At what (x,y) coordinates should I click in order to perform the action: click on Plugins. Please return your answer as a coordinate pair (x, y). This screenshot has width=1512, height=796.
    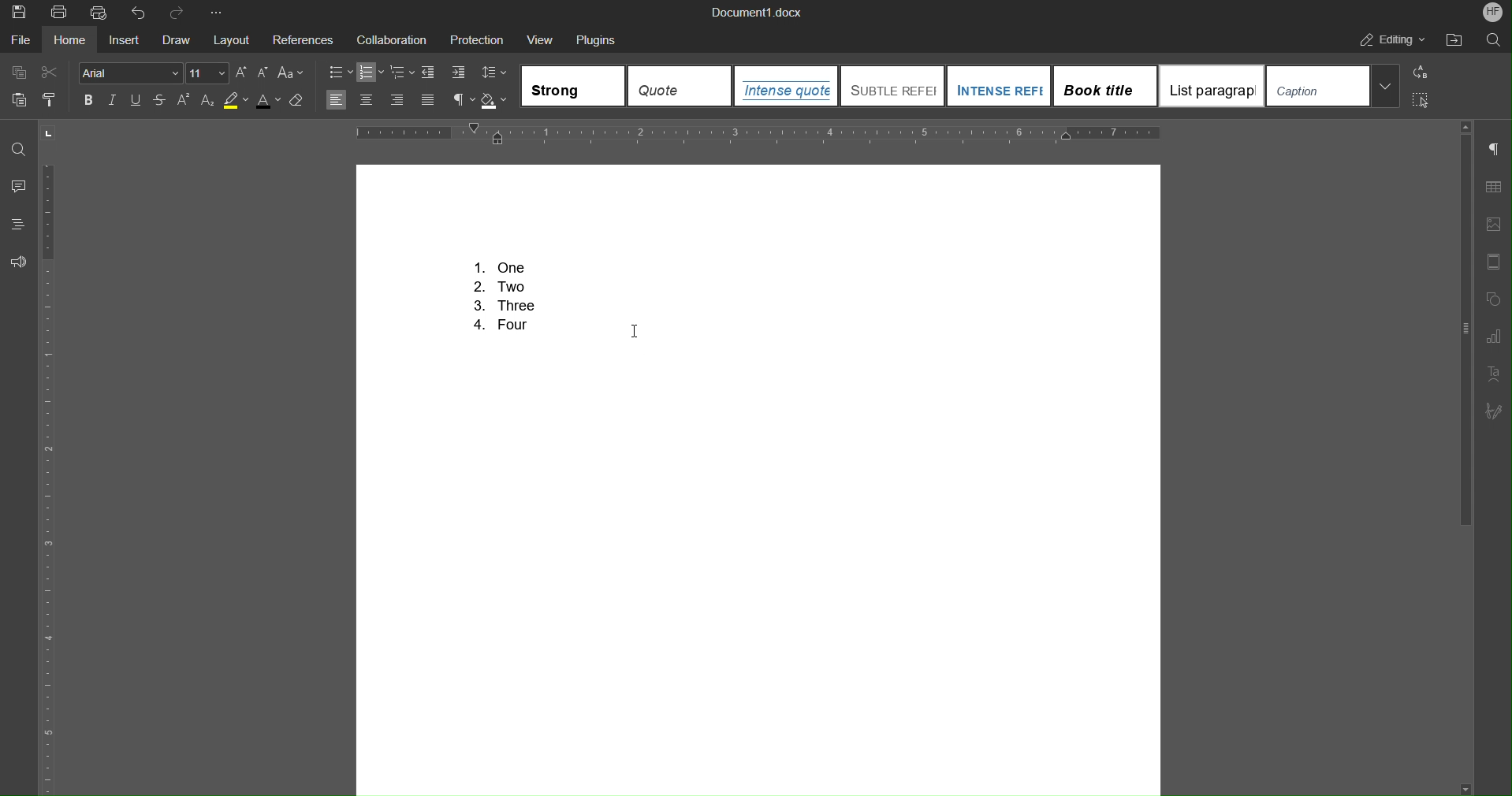
    Looking at the image, I should click on (598, 38).